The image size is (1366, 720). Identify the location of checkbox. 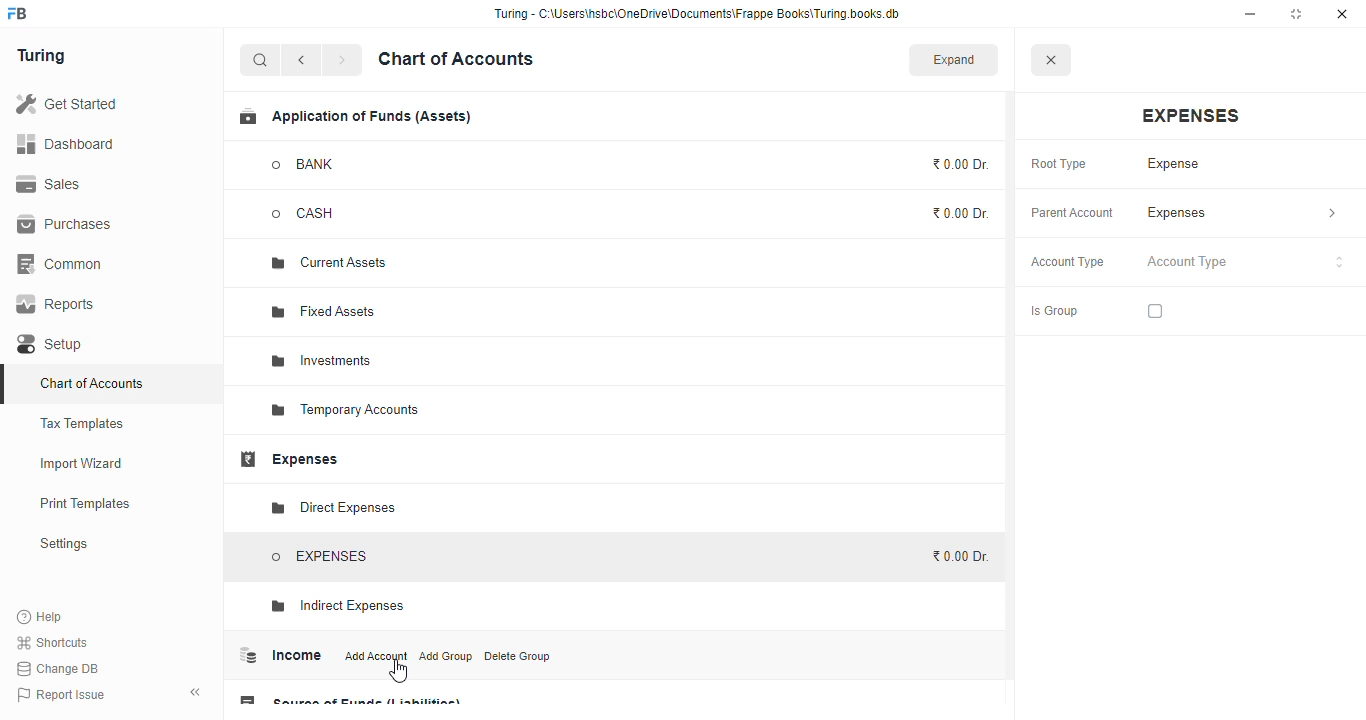
(1155, 311).